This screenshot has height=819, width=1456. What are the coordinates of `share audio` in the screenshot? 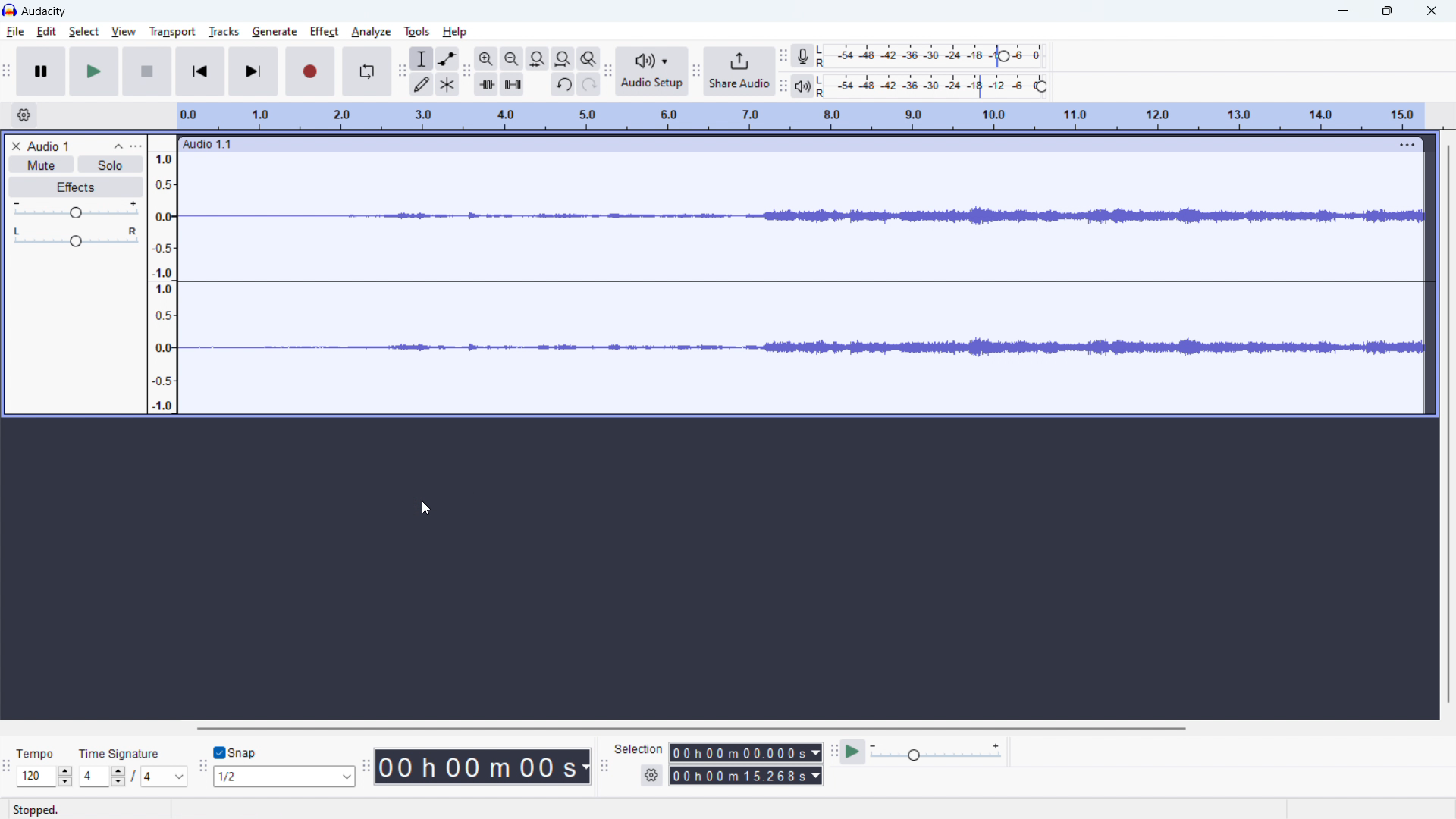 It's located at (741, 71).